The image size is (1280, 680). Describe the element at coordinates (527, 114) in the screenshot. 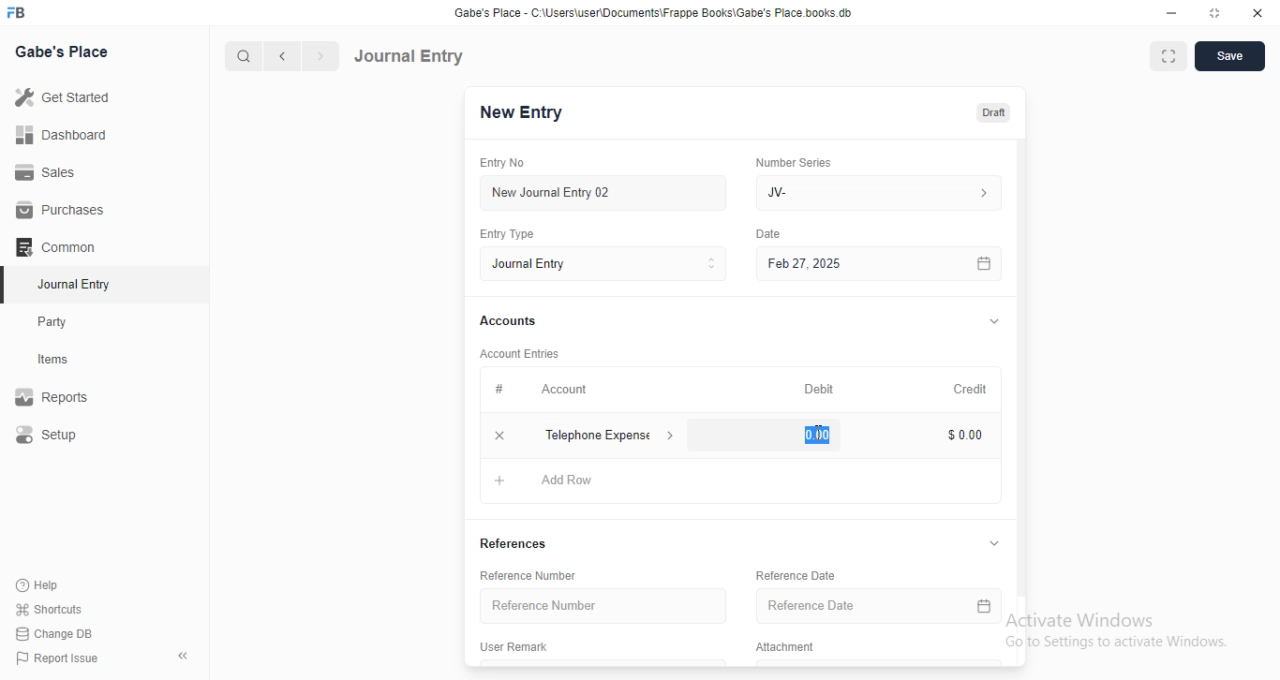

I see `New entry` at that location.